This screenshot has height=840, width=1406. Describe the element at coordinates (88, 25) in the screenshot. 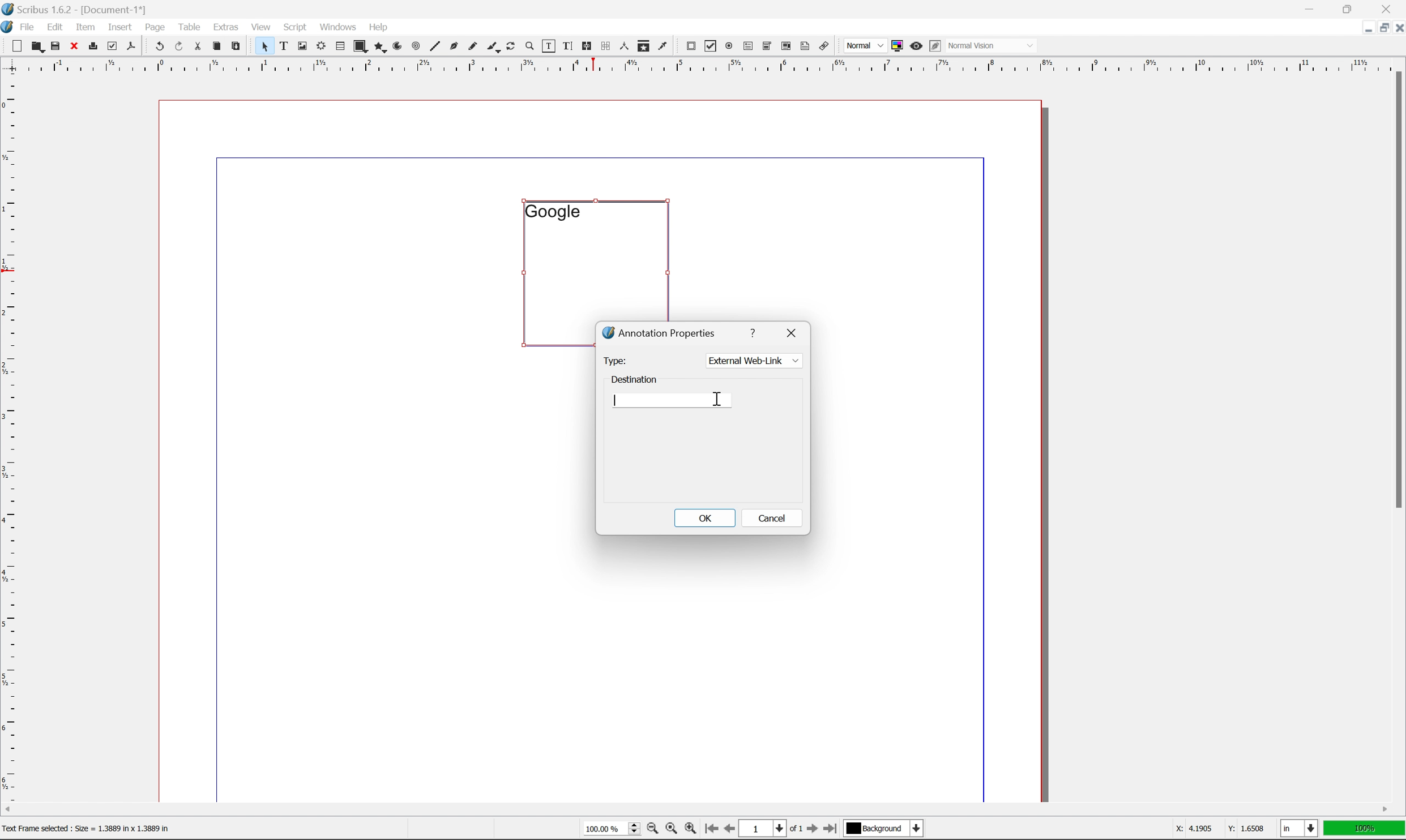

I see `item` at that location.